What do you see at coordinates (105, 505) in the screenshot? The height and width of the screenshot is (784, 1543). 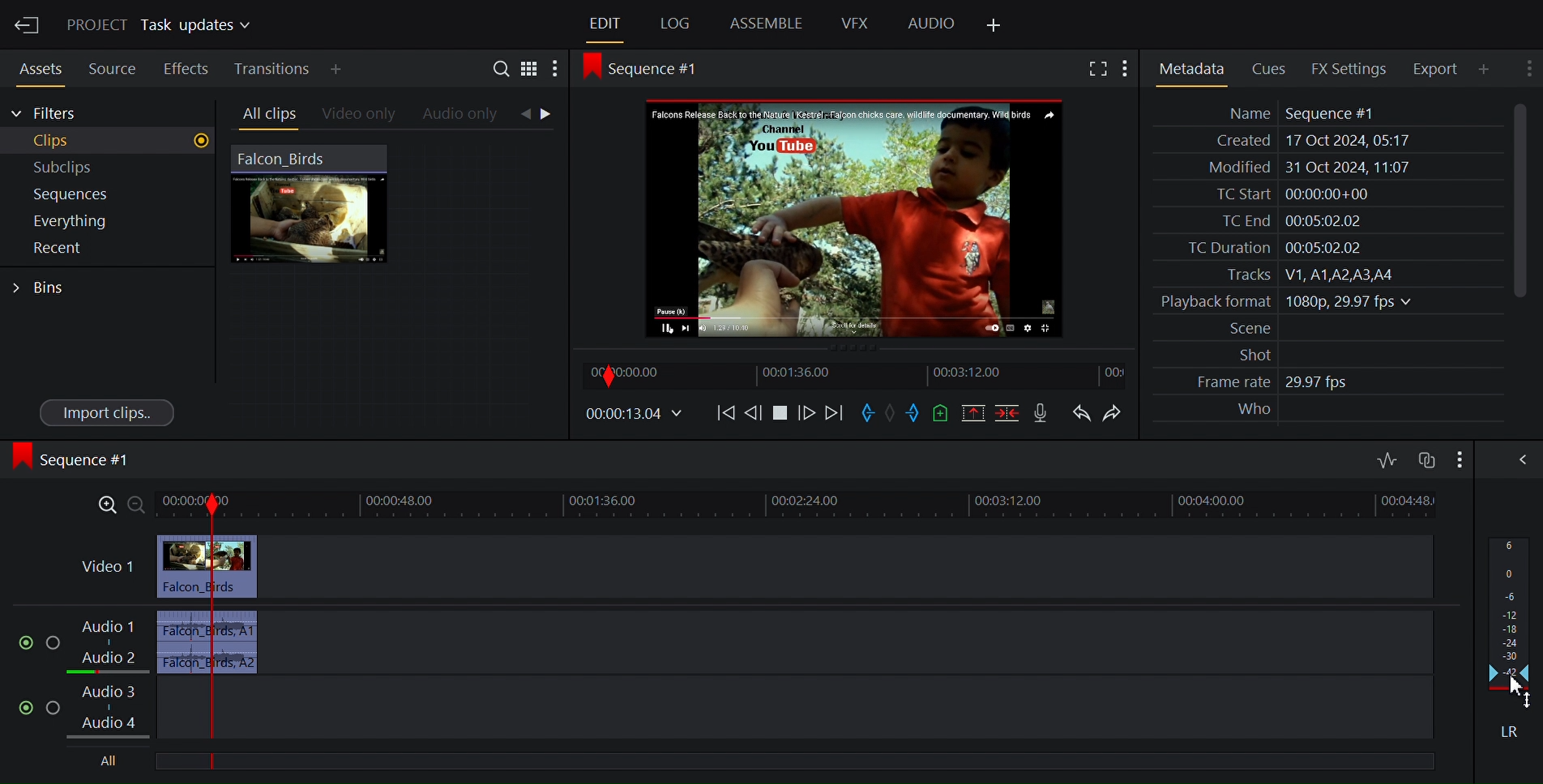 I see `Zoom in` at bounding box center [105, 505].